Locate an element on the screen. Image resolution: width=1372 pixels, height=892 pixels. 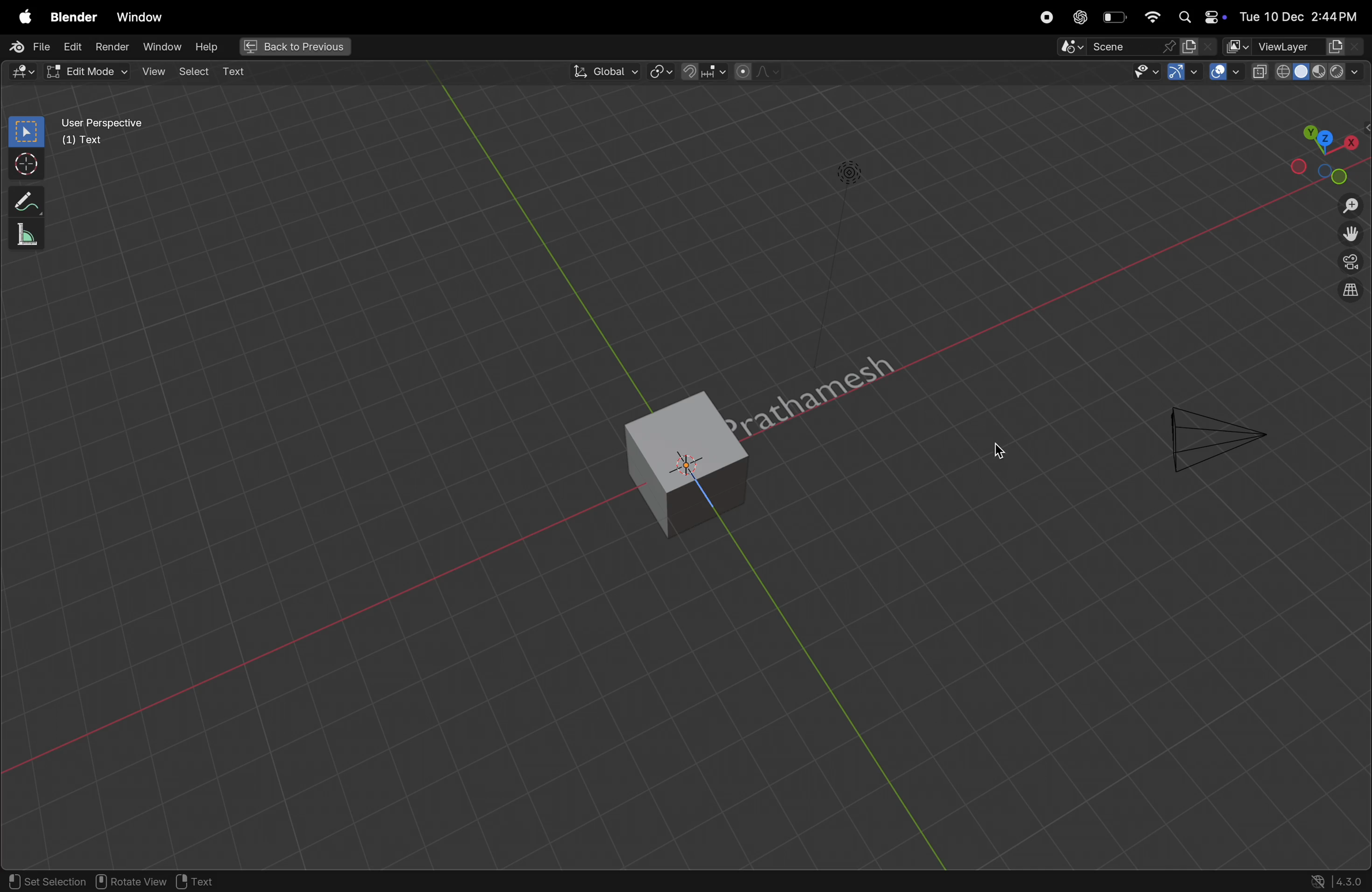
snap is located at coordinates (704, 71).